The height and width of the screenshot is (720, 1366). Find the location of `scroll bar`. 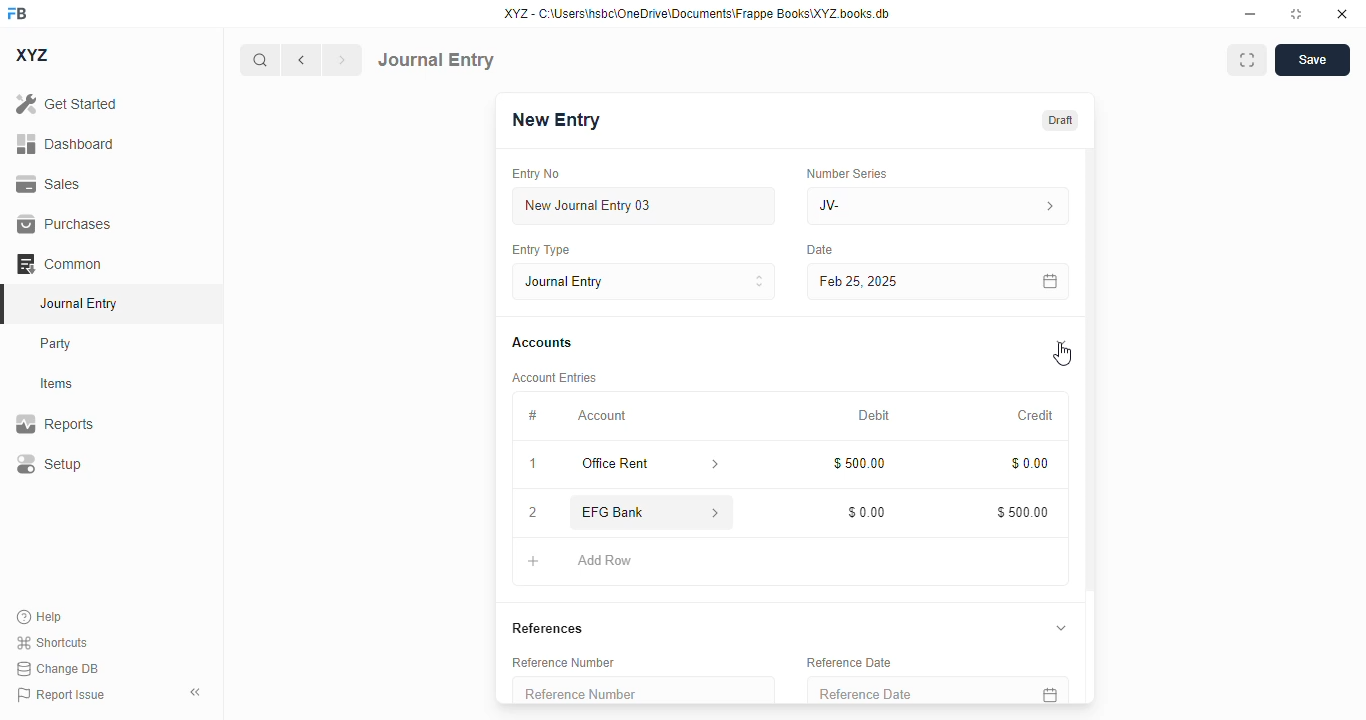

scroll bar is located at coordinates (1091, 424).